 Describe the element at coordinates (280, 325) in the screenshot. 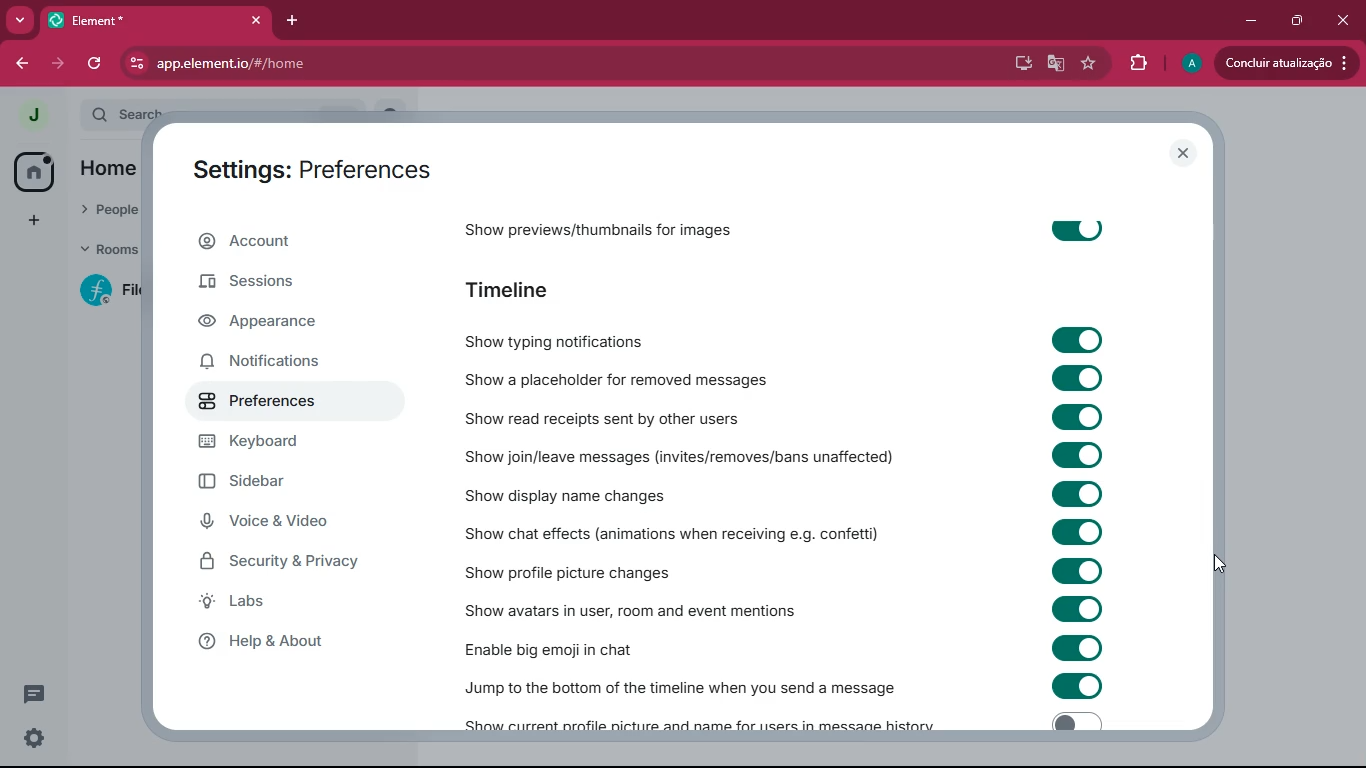

I see `appearance` at that location.